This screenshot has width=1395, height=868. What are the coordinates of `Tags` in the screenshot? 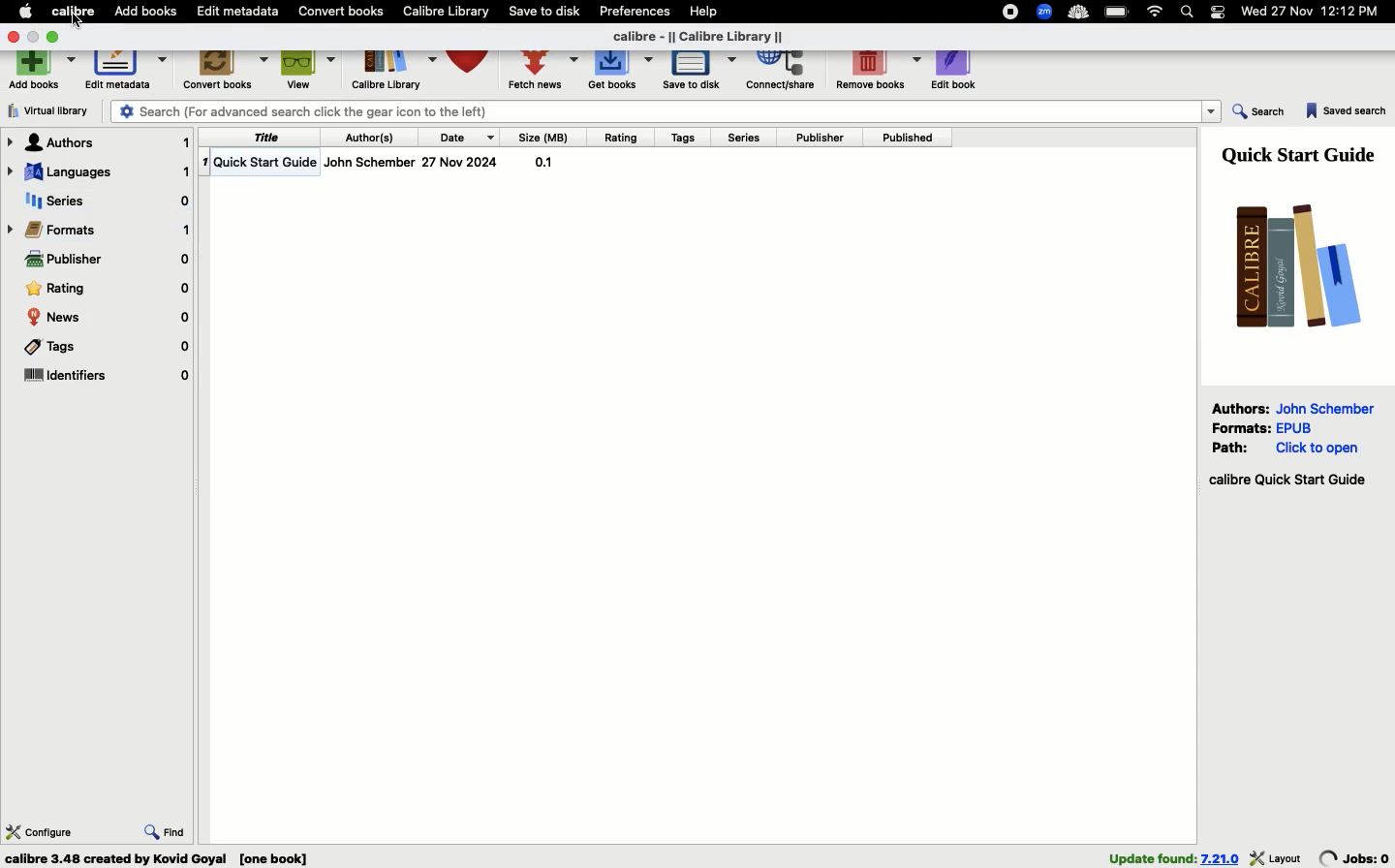 It's located at (690, 138).